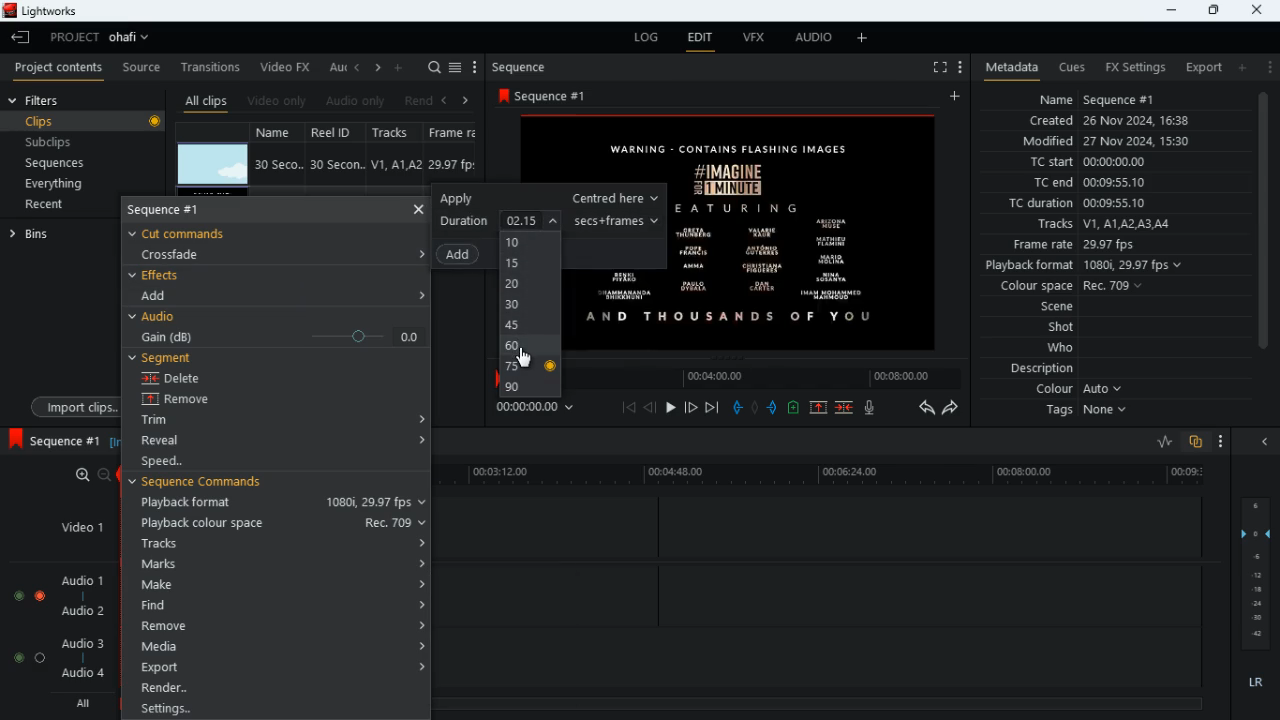 This screenshot has height=720, width=1280. Describe the element at coordinates (530, 242) in the screenshot. I see `10` at that location.